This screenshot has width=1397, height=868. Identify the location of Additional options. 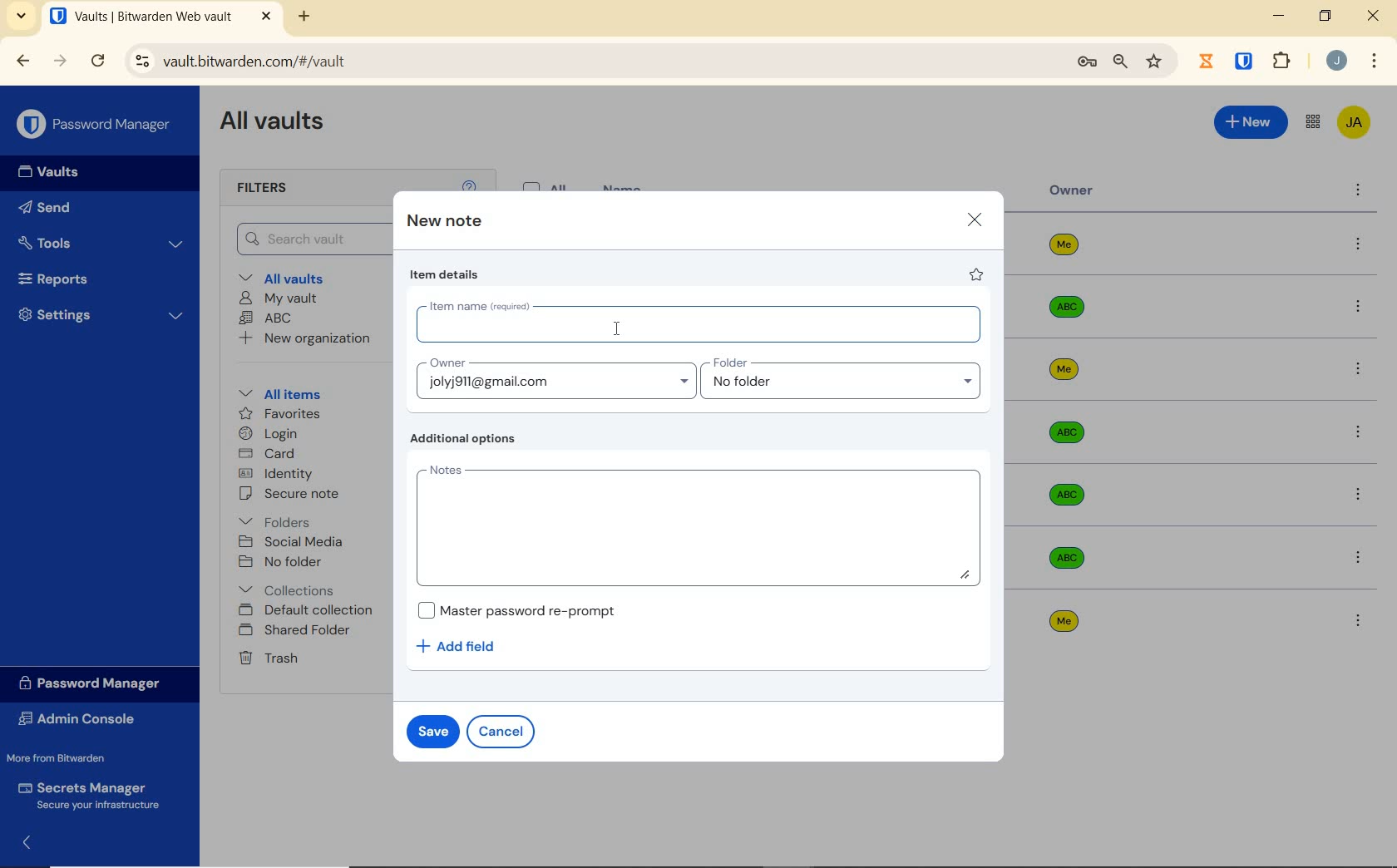
(466, 440).